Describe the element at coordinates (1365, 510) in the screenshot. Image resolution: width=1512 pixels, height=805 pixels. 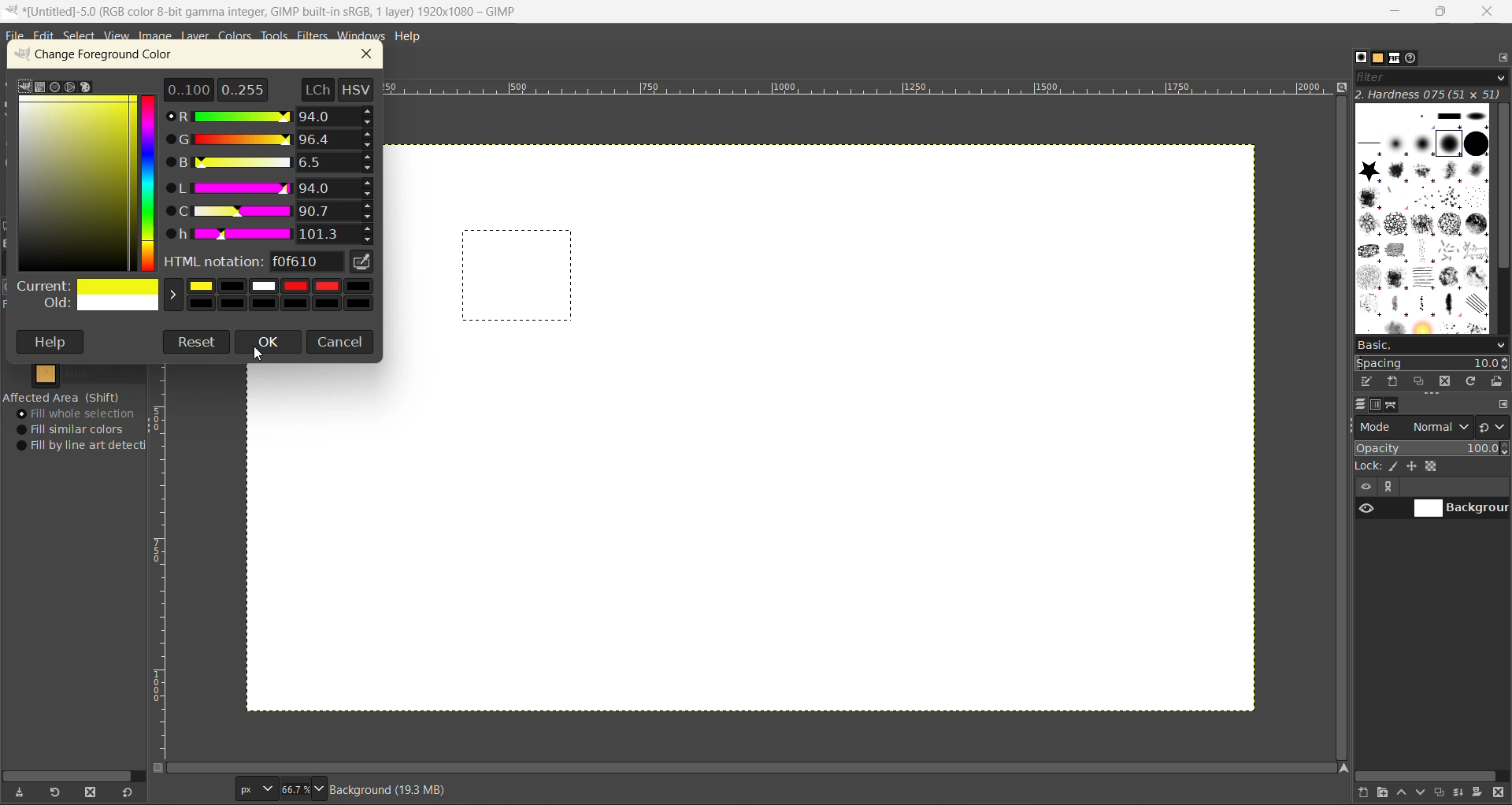
I see `preview` at that location.